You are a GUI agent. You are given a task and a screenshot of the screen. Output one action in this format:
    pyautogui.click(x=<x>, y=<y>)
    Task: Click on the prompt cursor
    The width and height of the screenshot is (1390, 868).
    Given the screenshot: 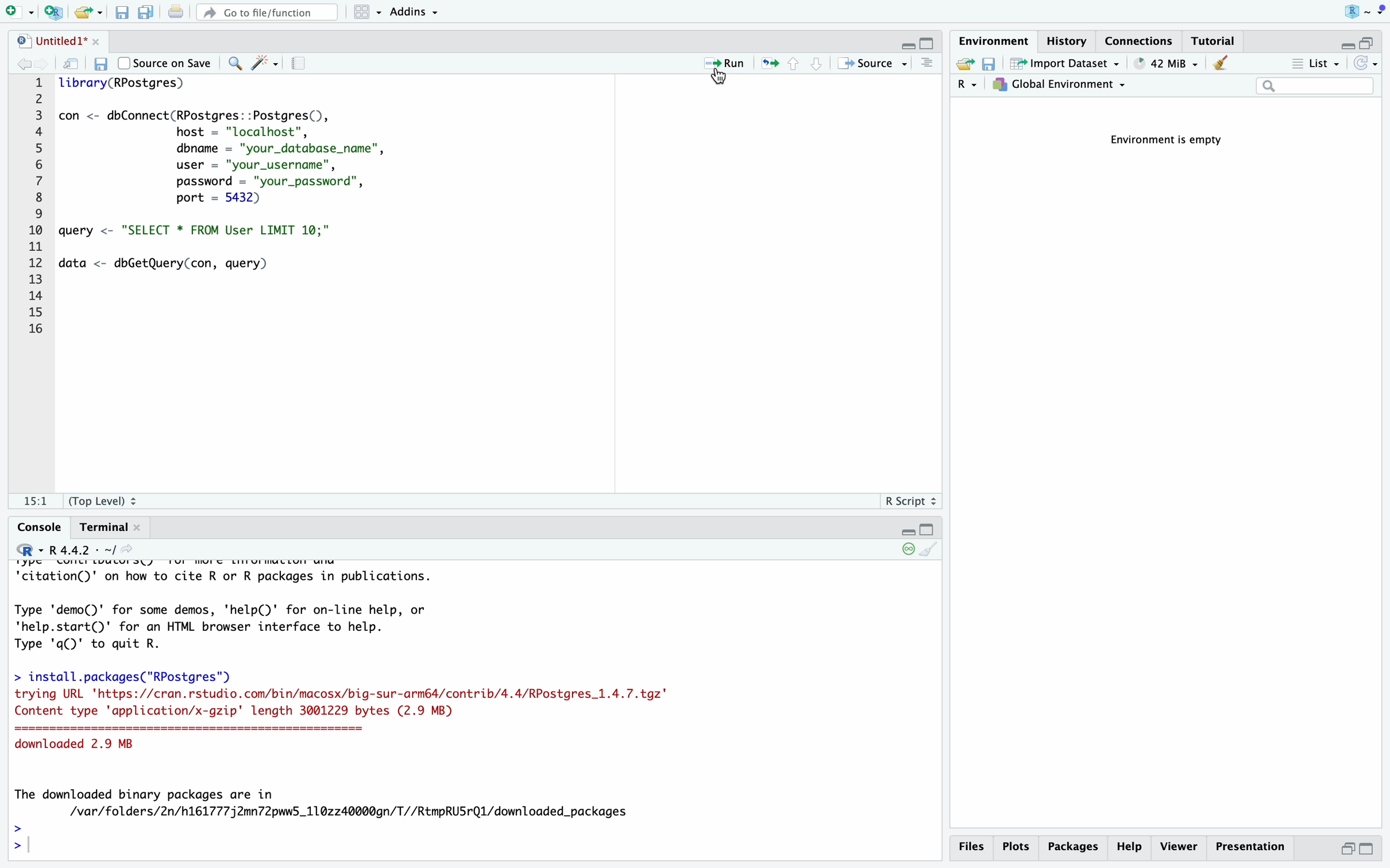 What is the action you would take?
    pyautogui.click(x=10, y=851)
    